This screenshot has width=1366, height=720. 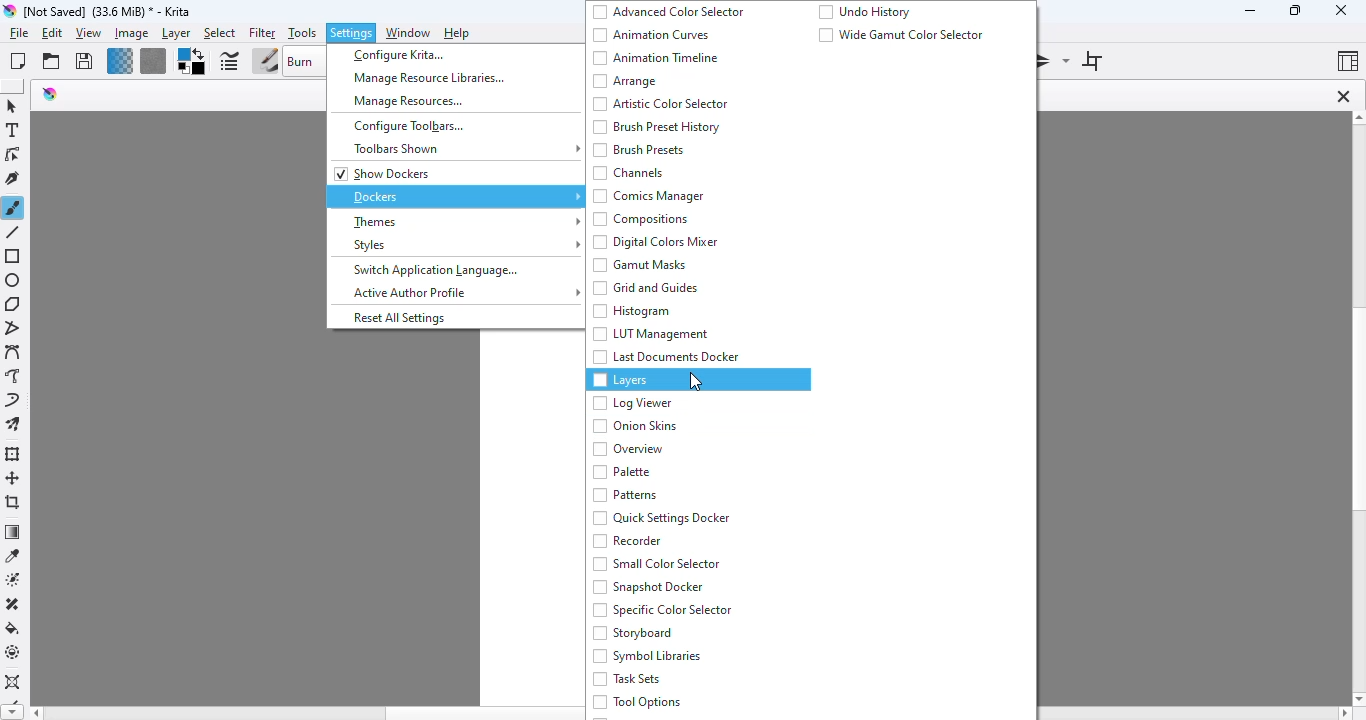 What do you see at coordinates (901, 34) in the screenshot?
I see `wide gamut color selector` at bounding box center [901, 34].